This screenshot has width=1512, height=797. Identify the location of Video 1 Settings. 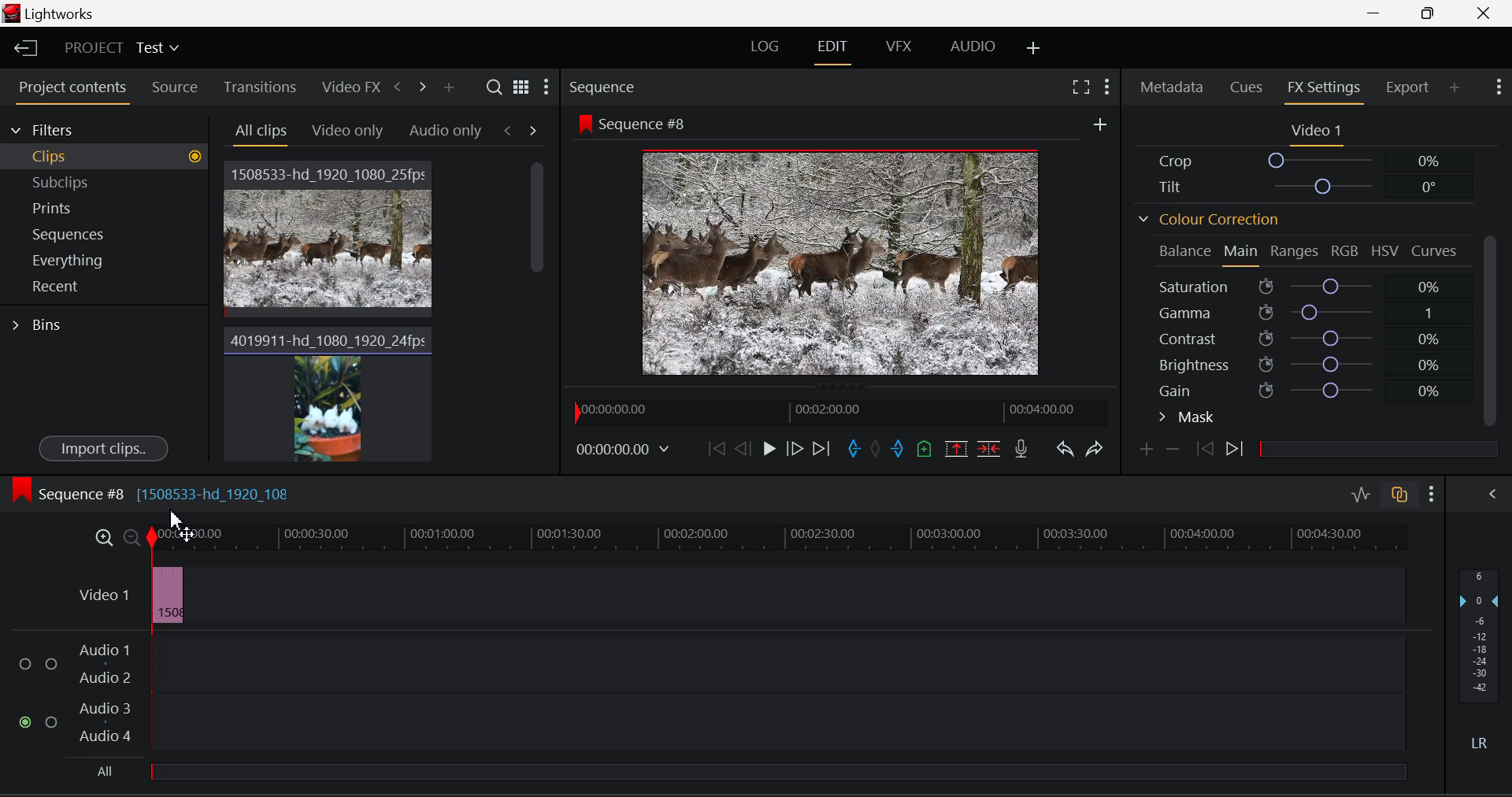
(1317, 132).